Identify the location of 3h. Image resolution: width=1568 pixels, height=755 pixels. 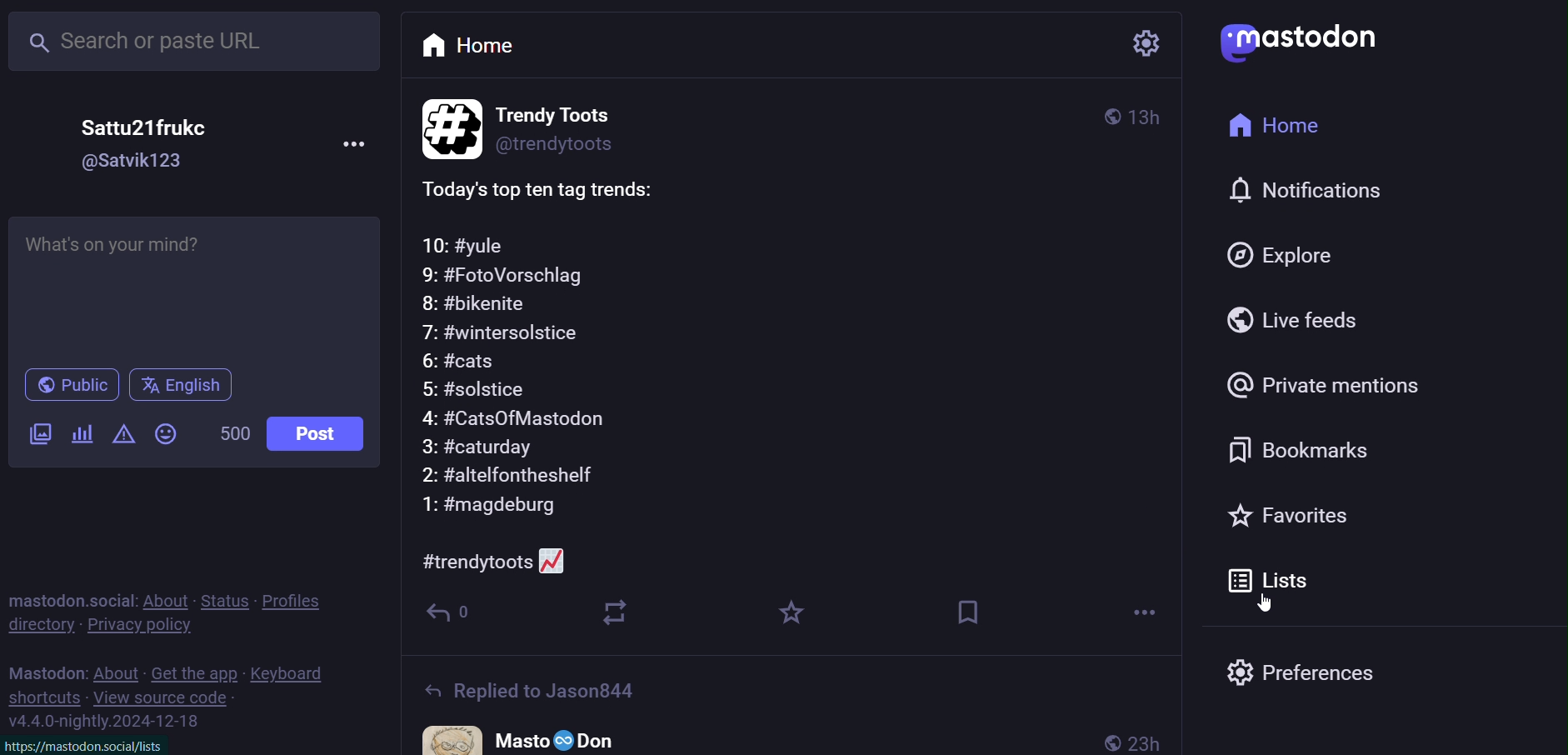
(1147, 117).